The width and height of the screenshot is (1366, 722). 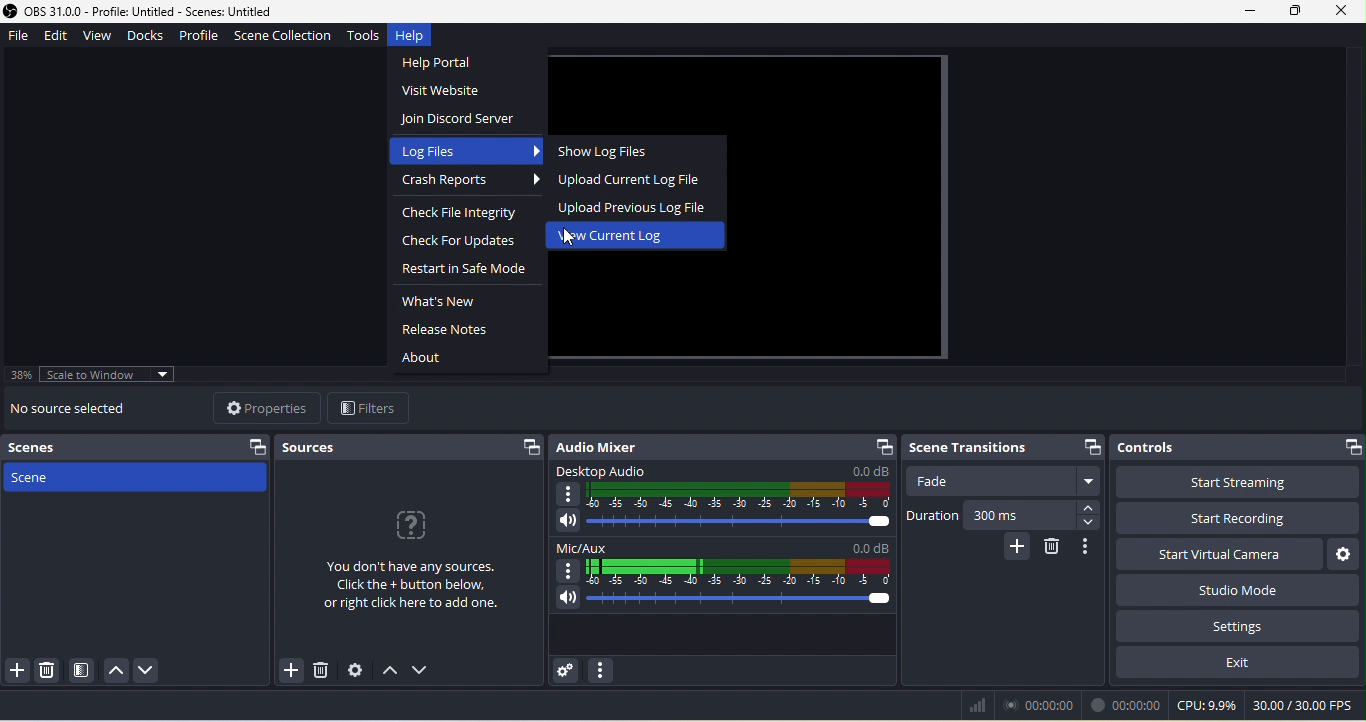 What do you see at coordinates (450, 92) in the screenshot?
I see `visit website` at bounding box center [450, 92].